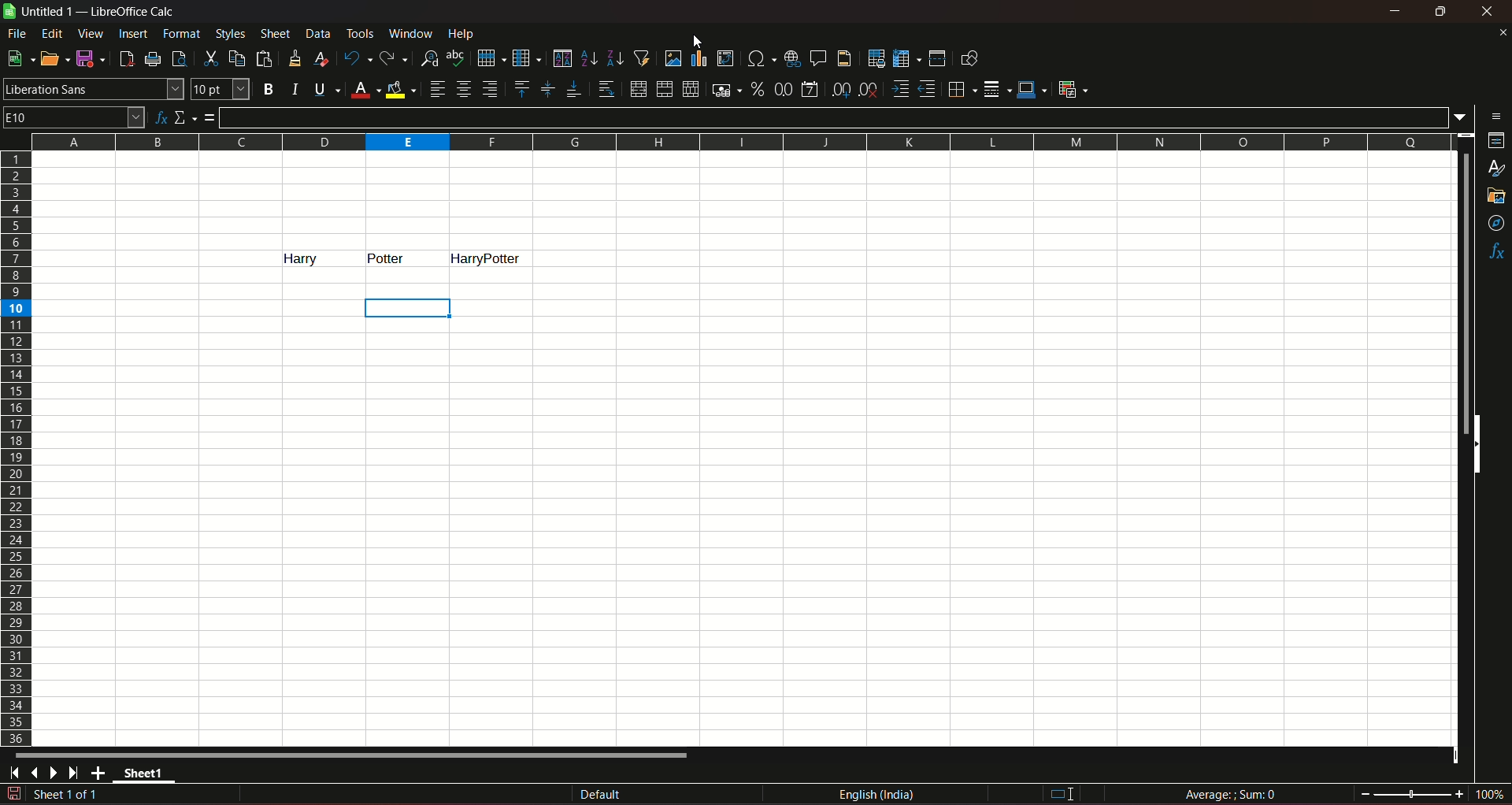 This screenshot has height=805, width=1512. I want to click on sort, so click(561, 58).